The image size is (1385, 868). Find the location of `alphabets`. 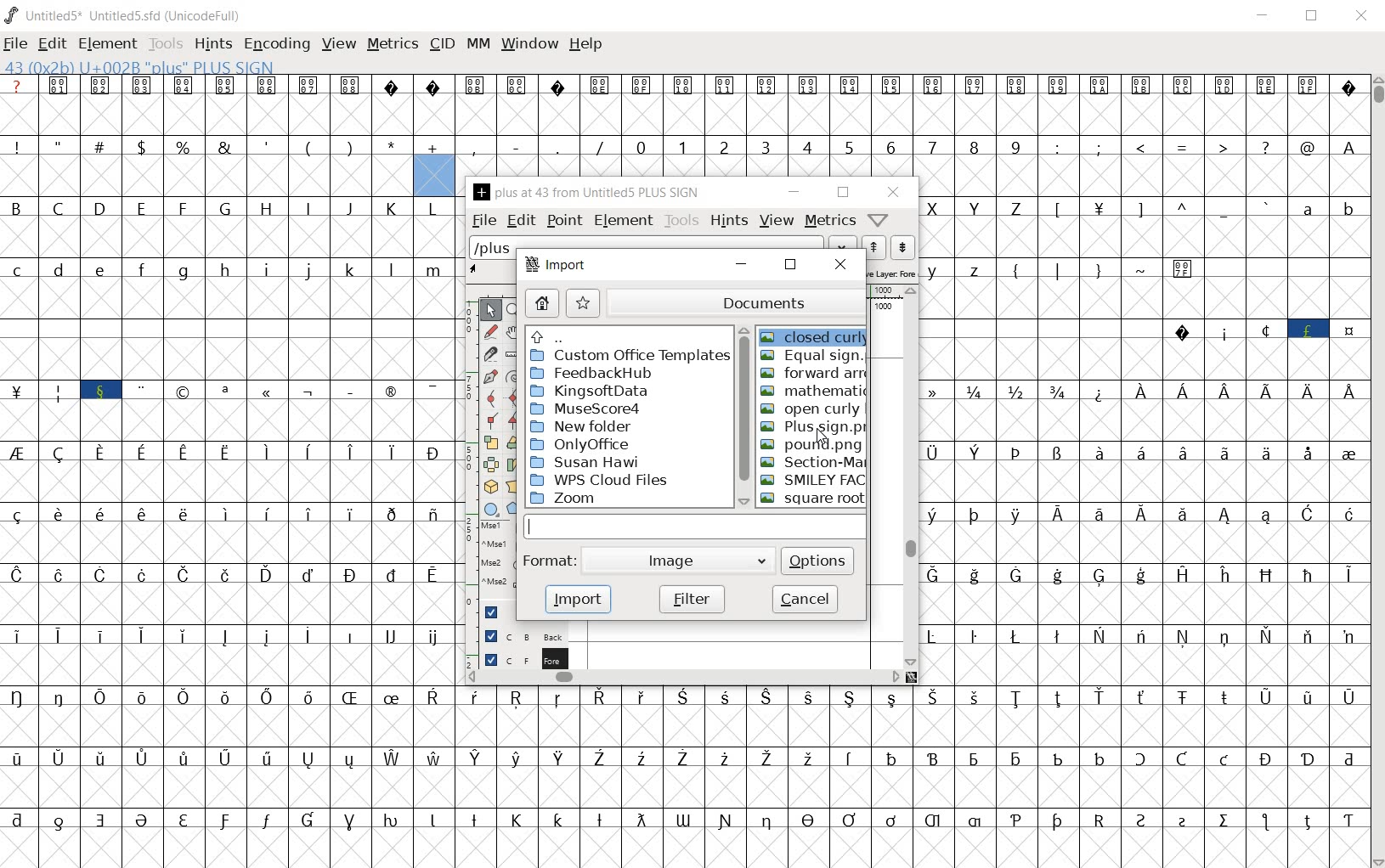

alphabets is located at coordinates (979, 228).